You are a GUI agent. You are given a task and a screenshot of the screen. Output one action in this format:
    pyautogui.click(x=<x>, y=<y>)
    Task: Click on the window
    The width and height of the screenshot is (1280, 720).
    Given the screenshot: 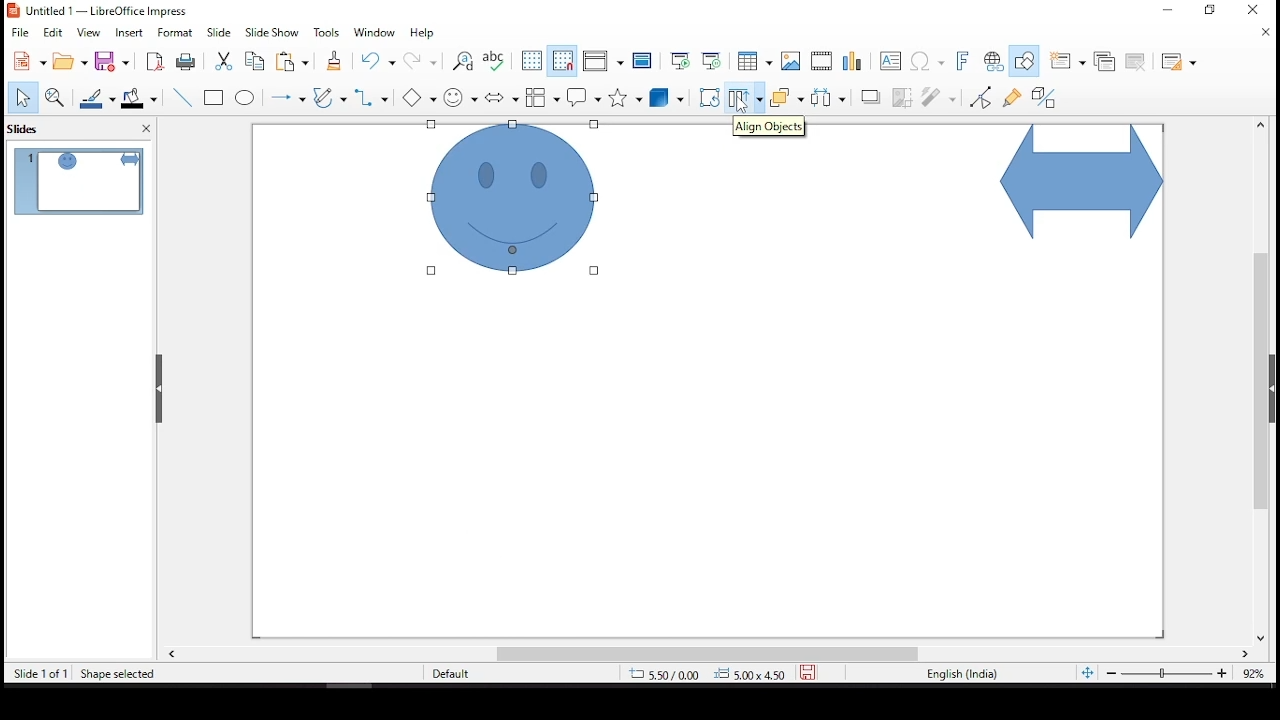 What is the action you would take?
    pyautogui.click(x=378, y=33)
    